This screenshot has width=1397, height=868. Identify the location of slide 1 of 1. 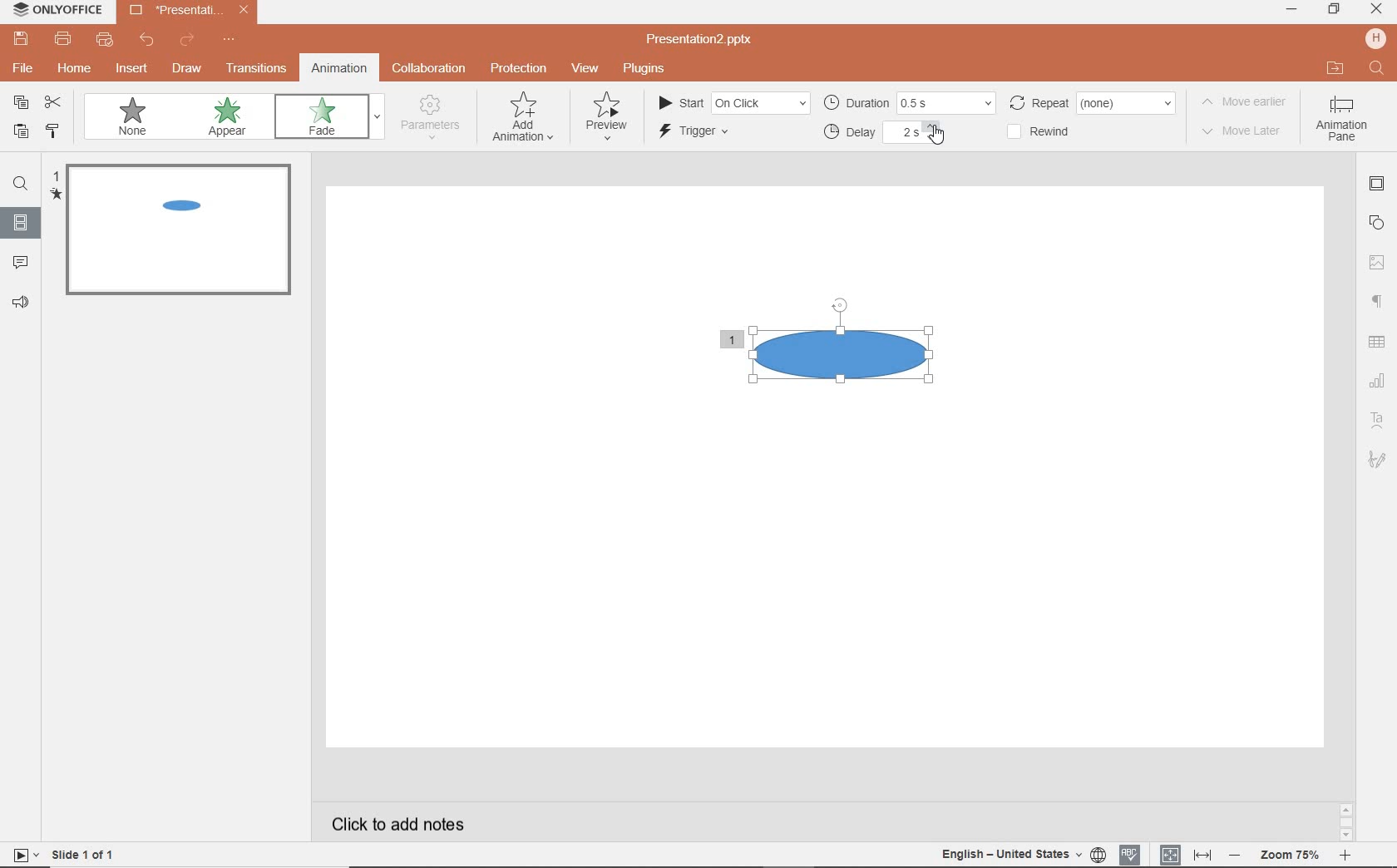
(62, 856).